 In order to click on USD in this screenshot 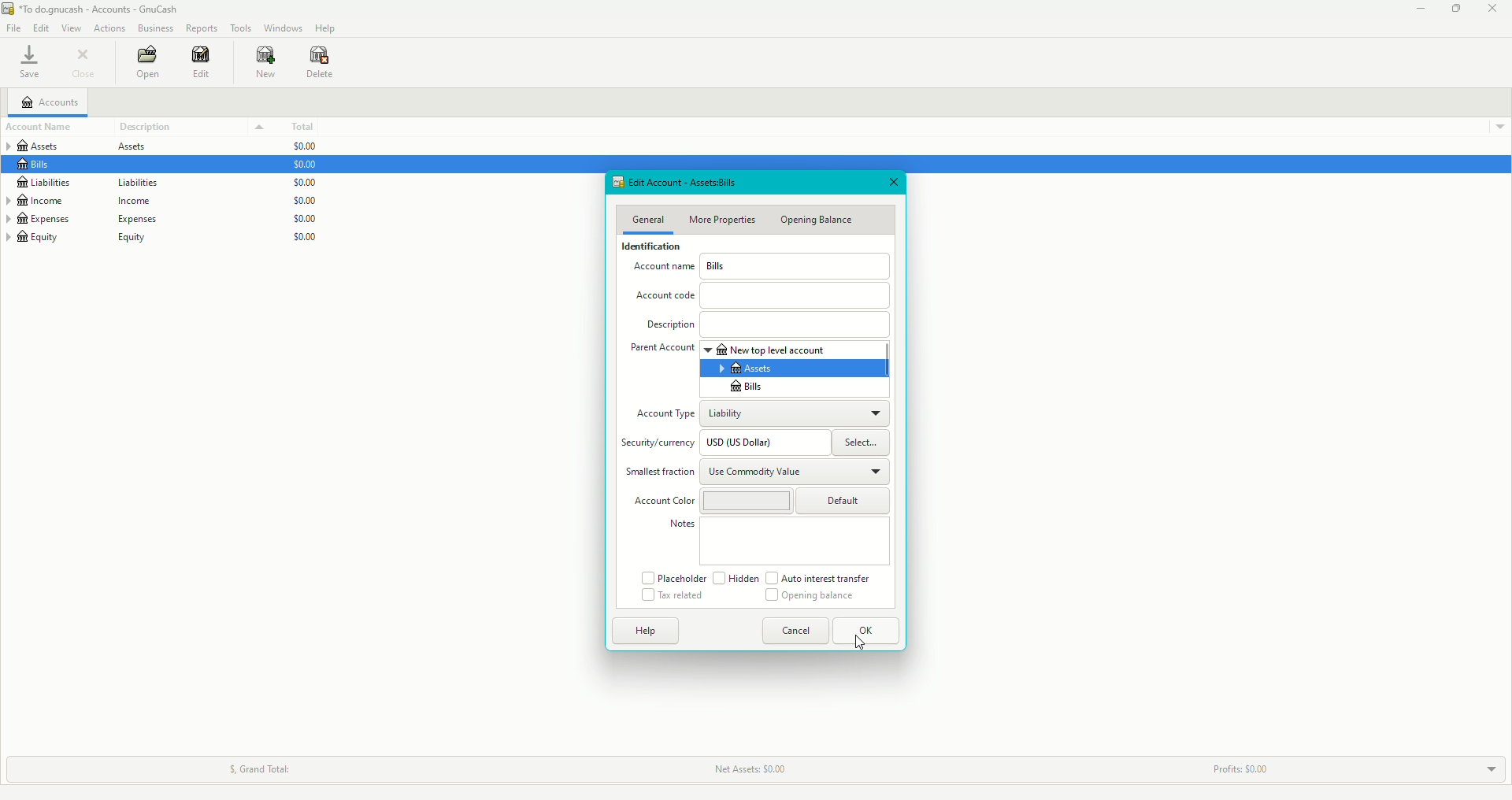, I will do `click(764, 443)`.